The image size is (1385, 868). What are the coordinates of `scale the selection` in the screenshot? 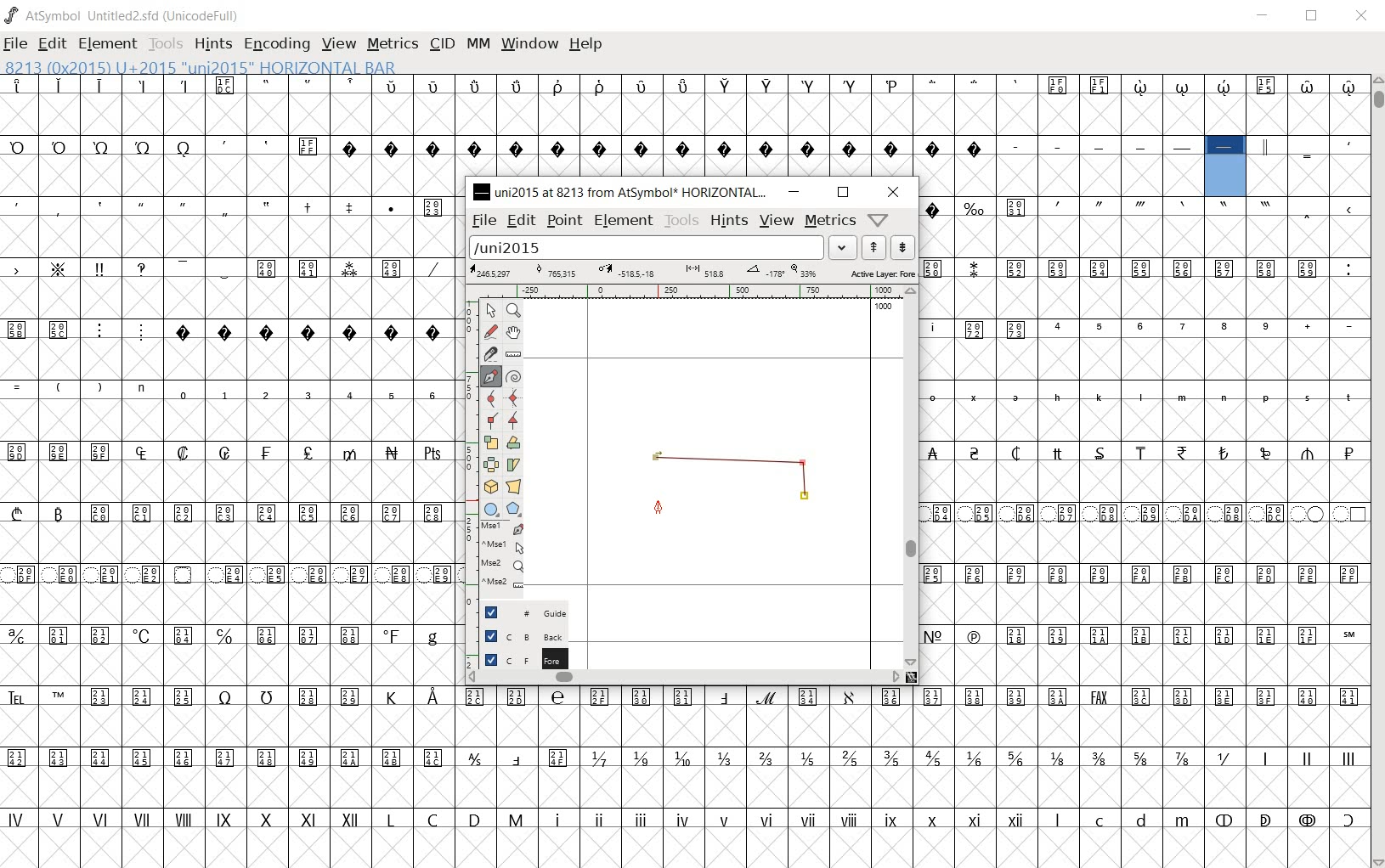 It's located at (490, 442).